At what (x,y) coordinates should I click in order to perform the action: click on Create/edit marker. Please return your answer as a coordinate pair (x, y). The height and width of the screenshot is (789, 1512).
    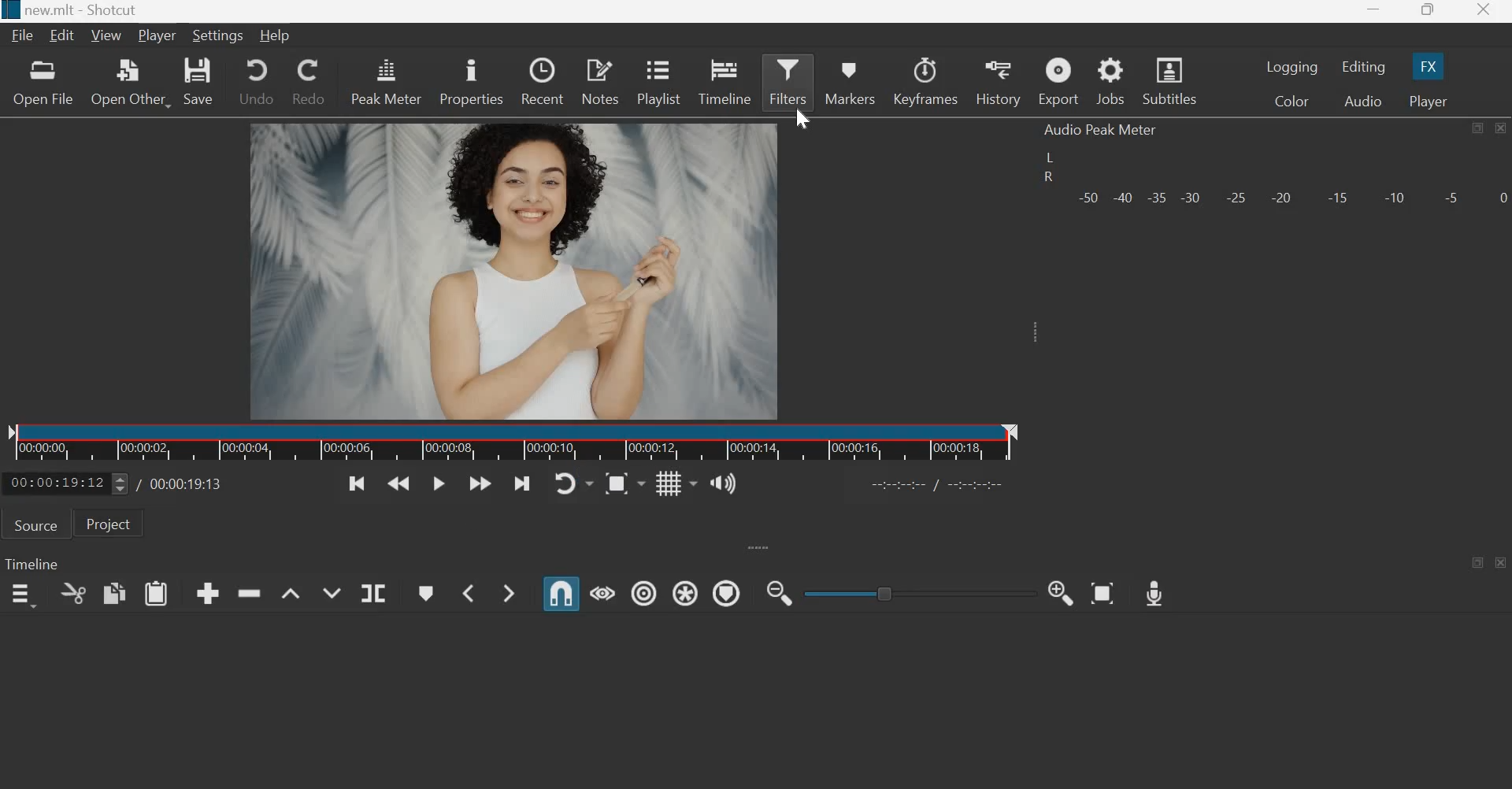
    Looking at the image, I should click on (427, 594).